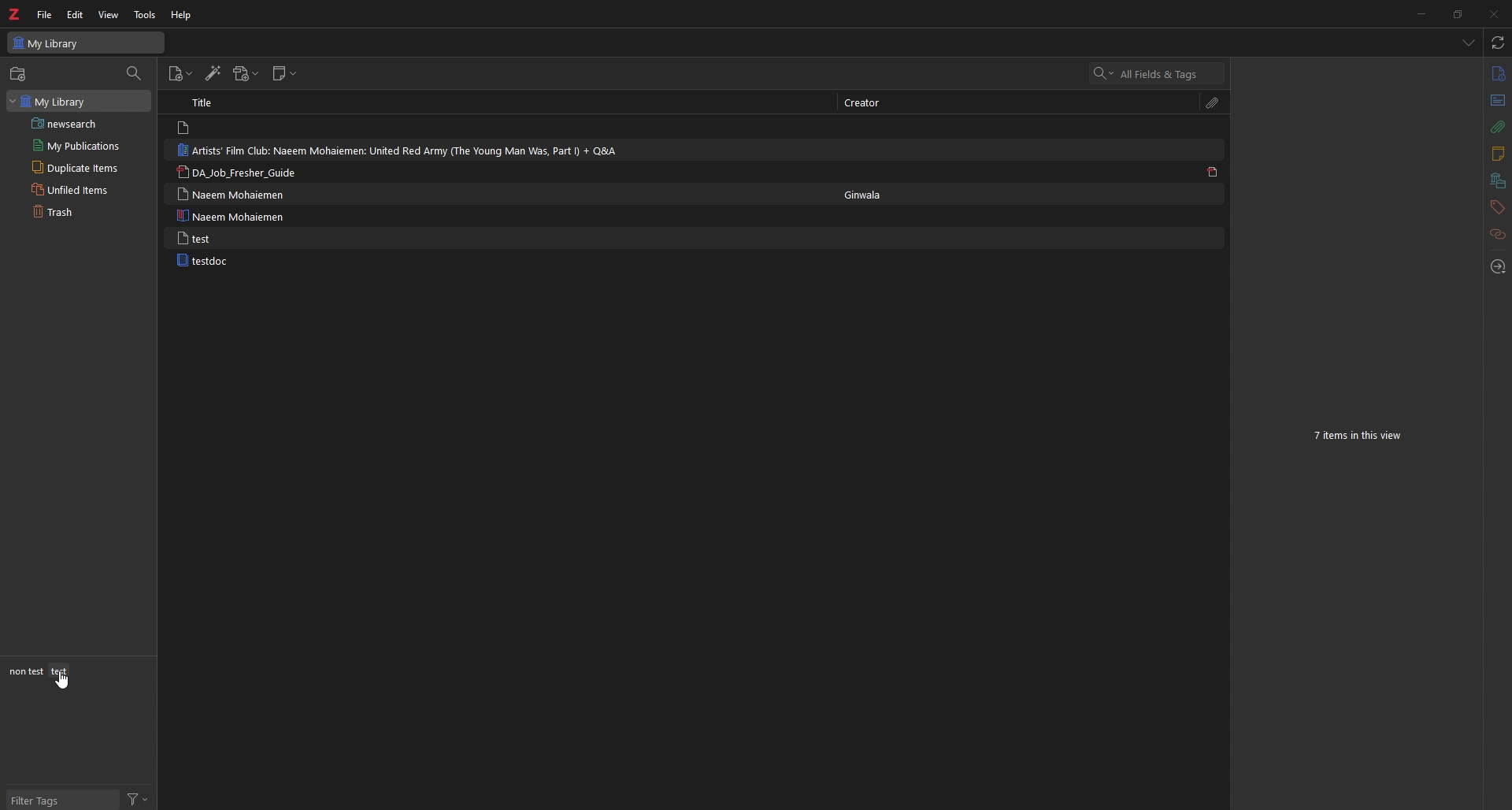 This screenshot has width=1512, height=810. Describe the element at coordinates (197, 239) in the screenshot. I see `test` at that location.